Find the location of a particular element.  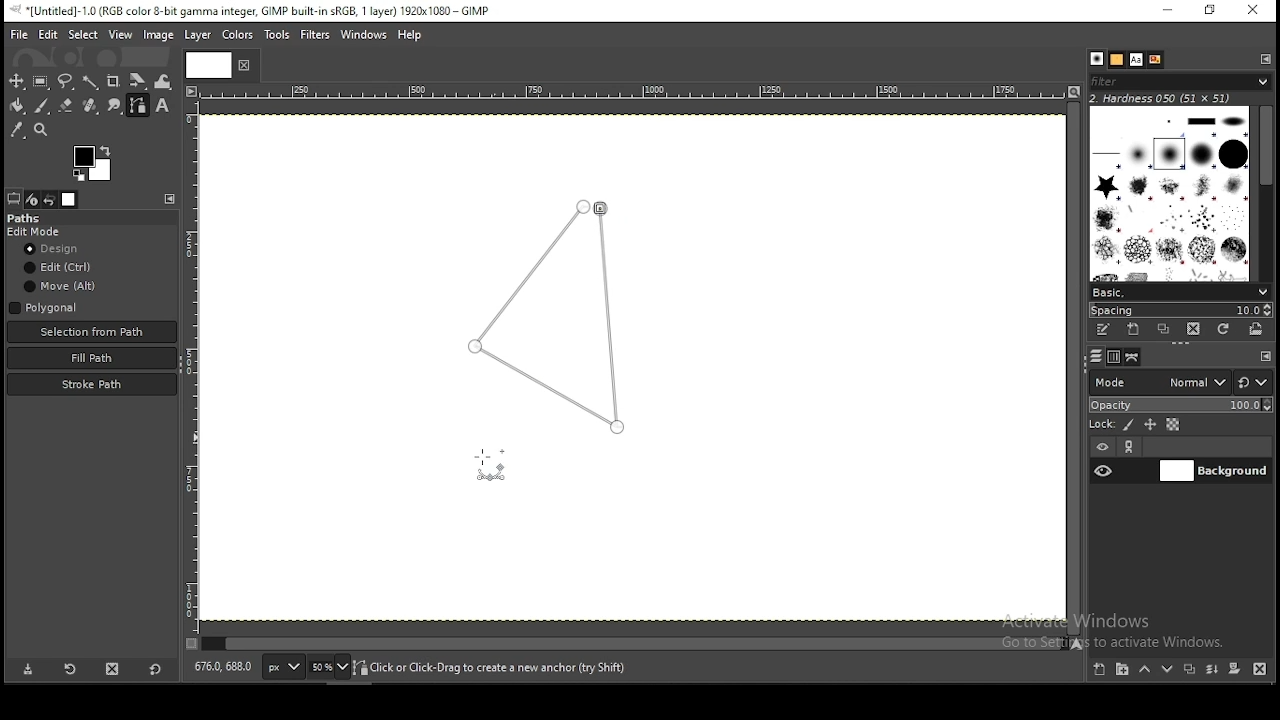

units is located at coordinates (282, 666).